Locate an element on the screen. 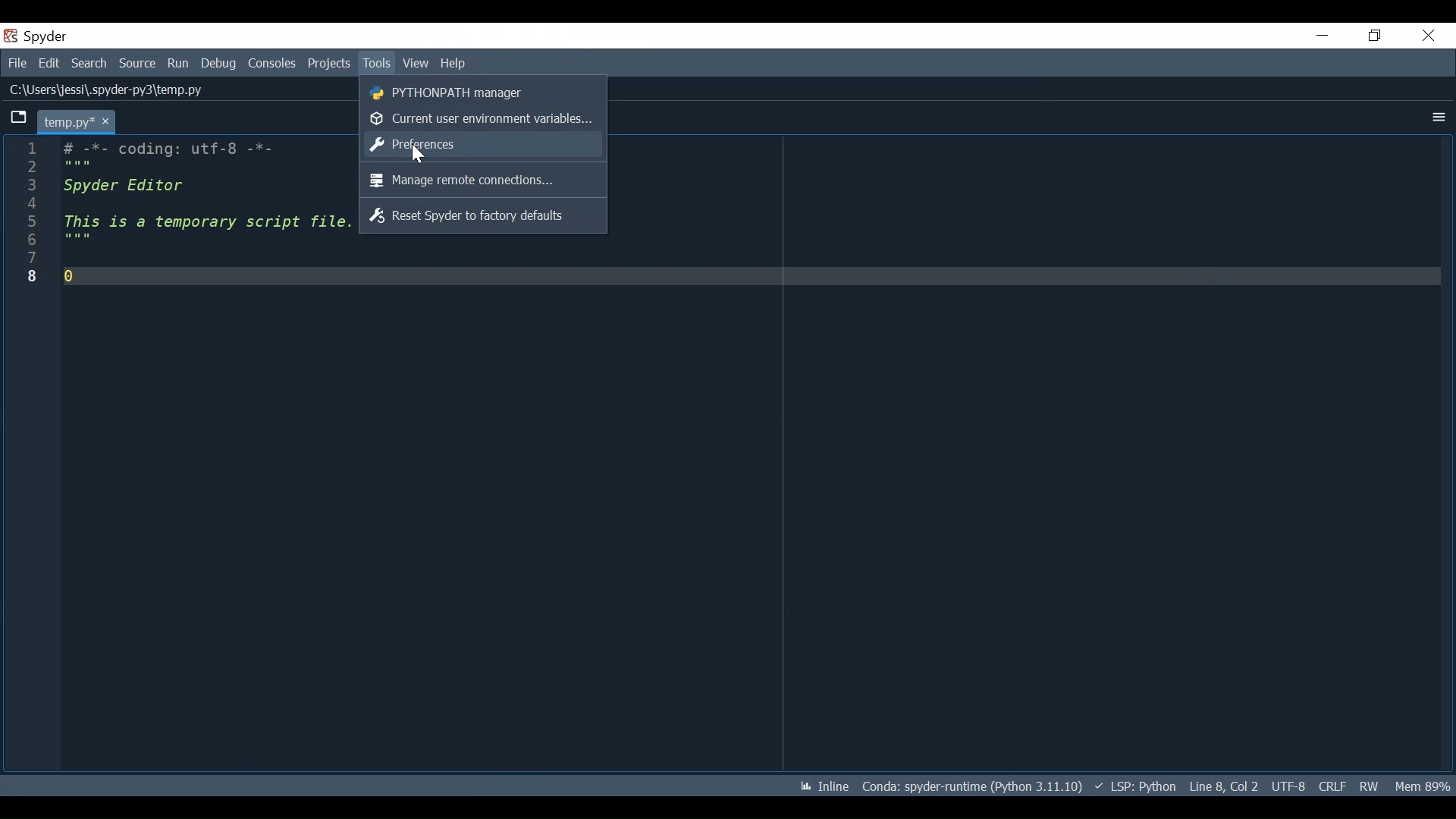  Current tab is located at coordinates (75, 121).